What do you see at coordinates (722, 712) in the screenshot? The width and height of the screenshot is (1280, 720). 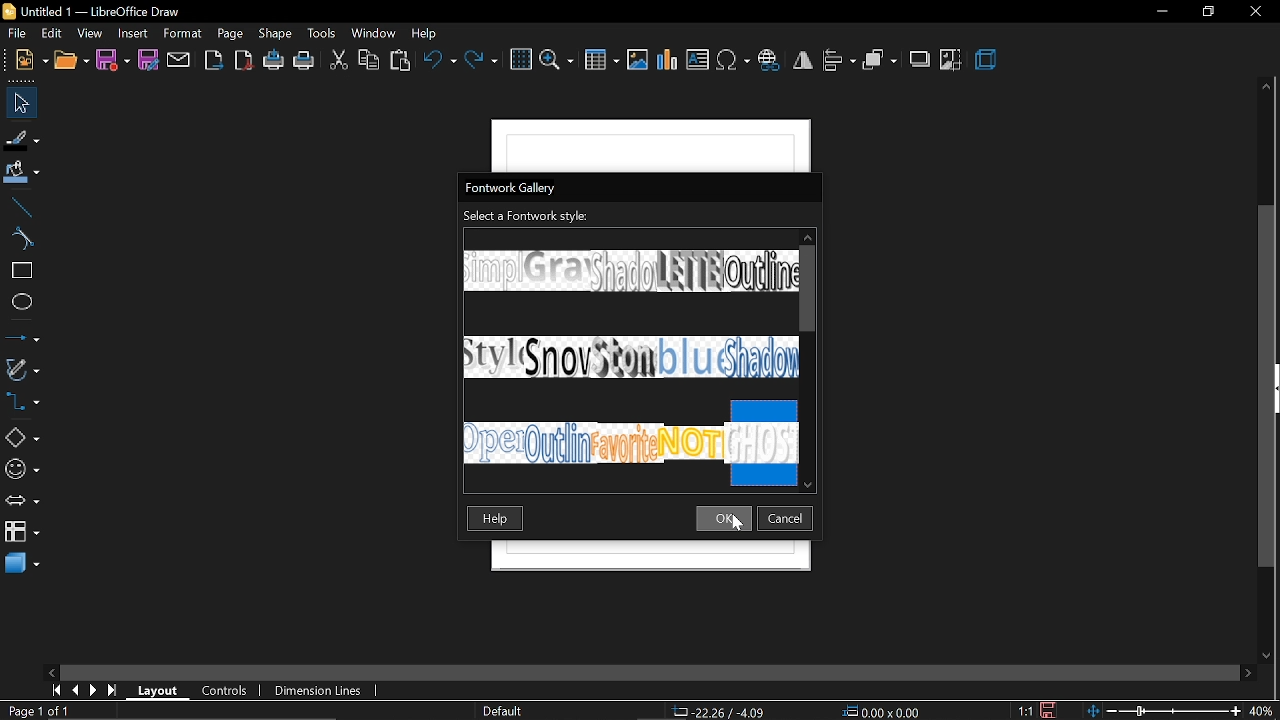 I see `-22.26/-4.09` at bounding box center [722, 712].